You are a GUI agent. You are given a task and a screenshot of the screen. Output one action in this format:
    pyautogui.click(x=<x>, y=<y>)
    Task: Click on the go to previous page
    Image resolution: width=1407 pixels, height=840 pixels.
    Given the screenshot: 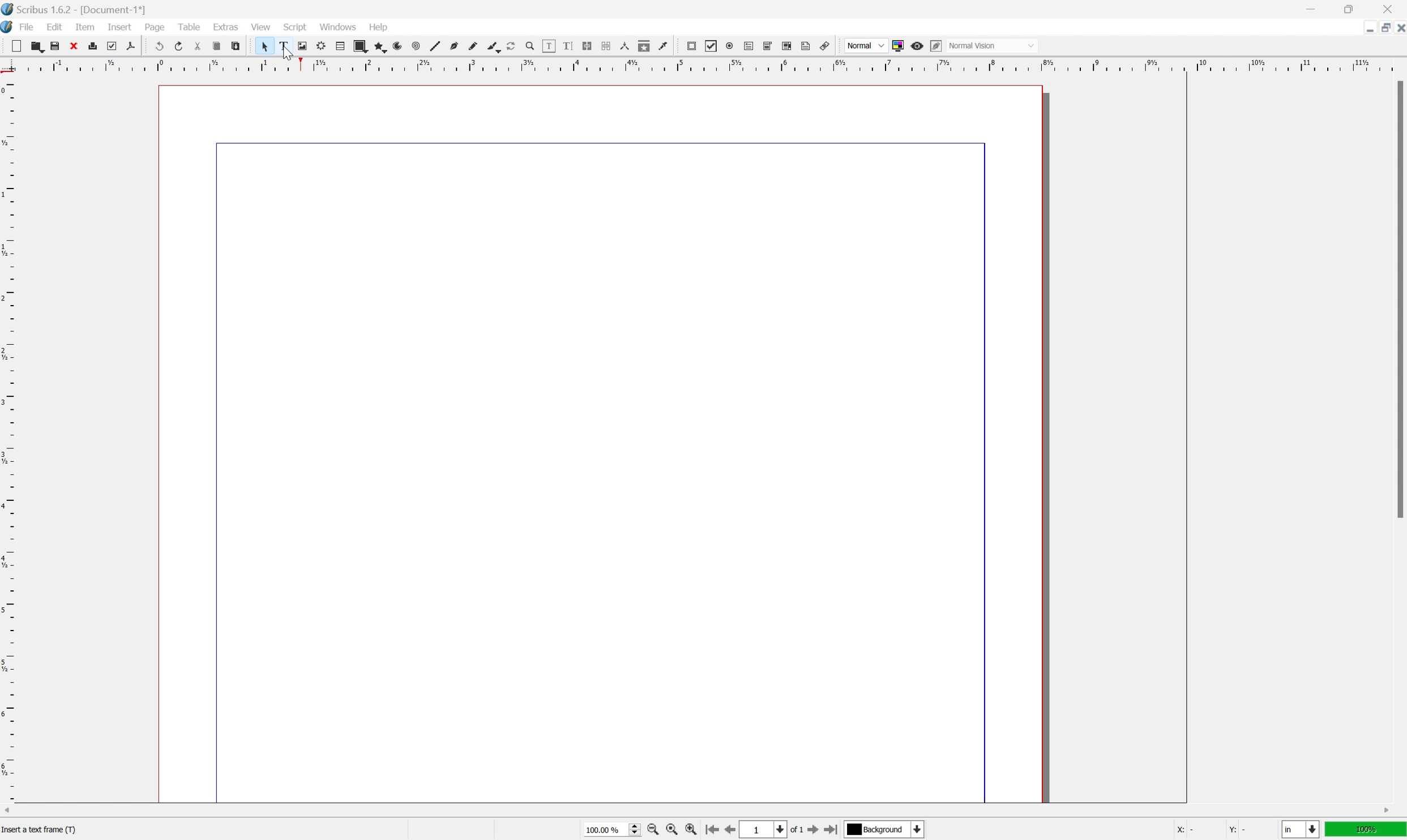 What is the action you would take?
    pyautogui.click(x=728, y=831)
    